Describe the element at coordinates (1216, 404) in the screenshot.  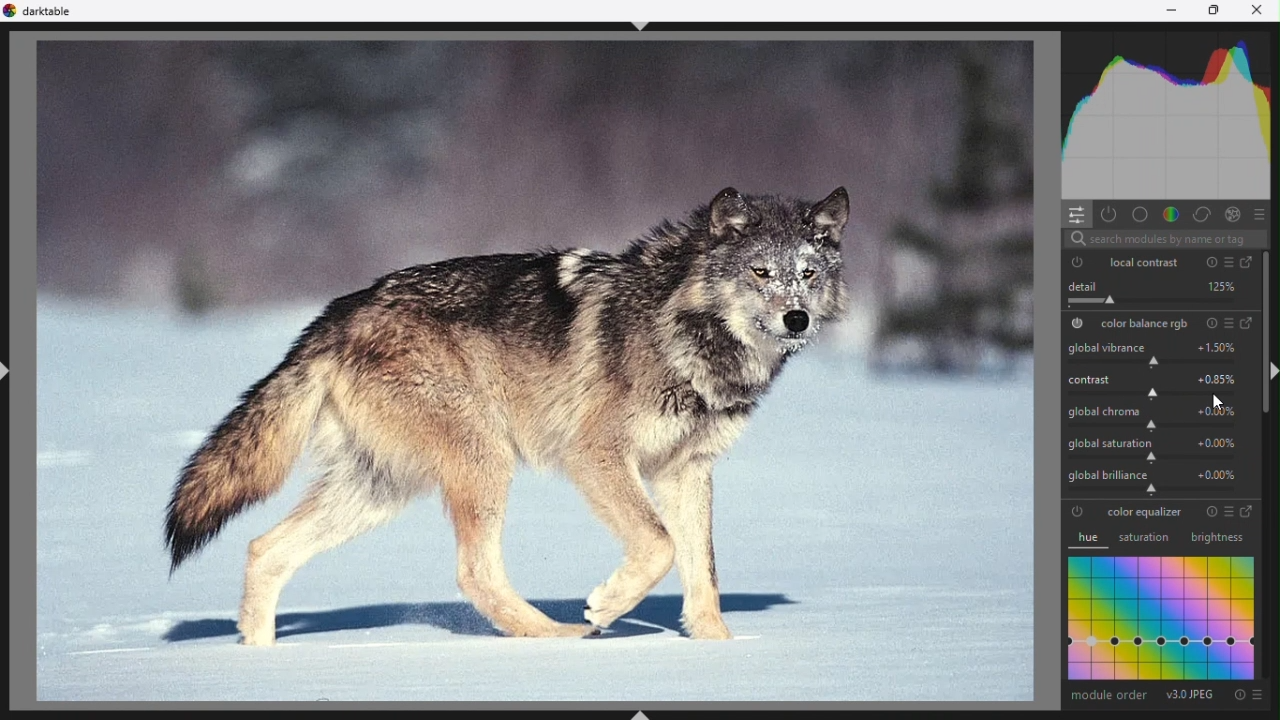
I see `cursor` at that location.